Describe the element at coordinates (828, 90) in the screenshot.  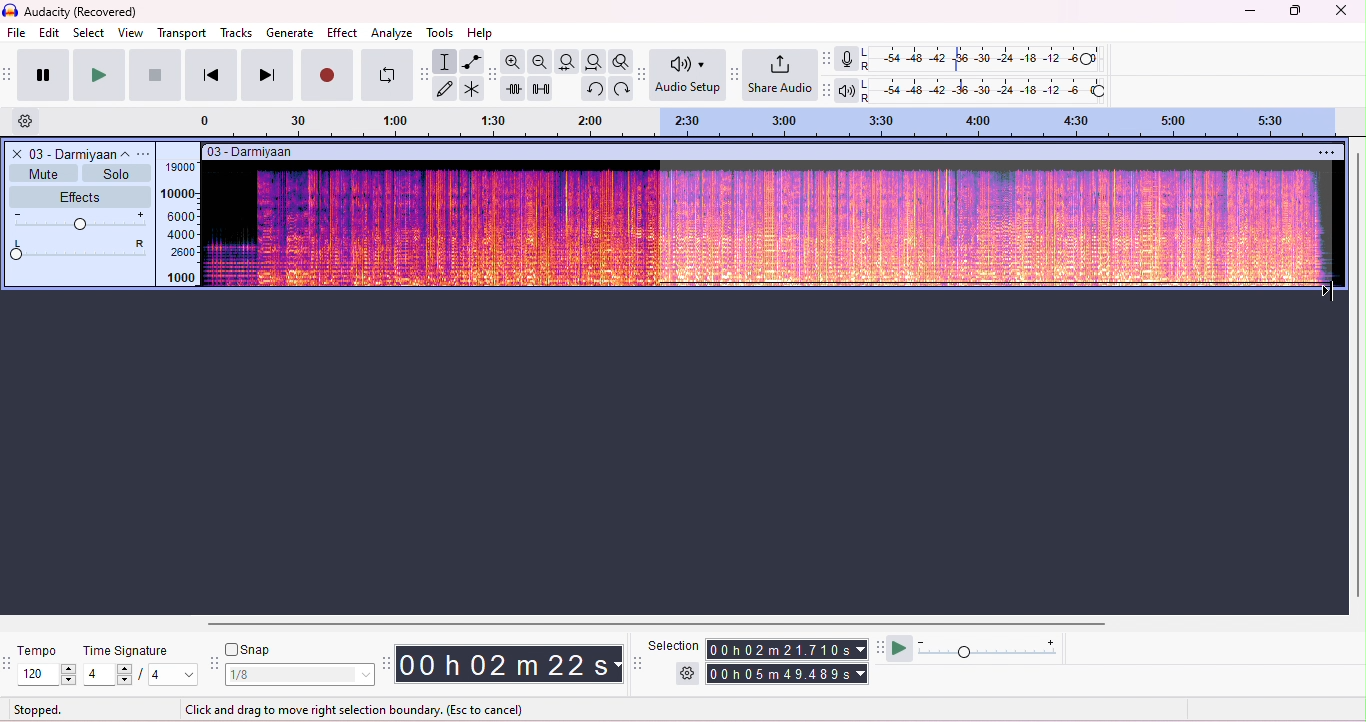
I see `playback meter tool bar` at that location.